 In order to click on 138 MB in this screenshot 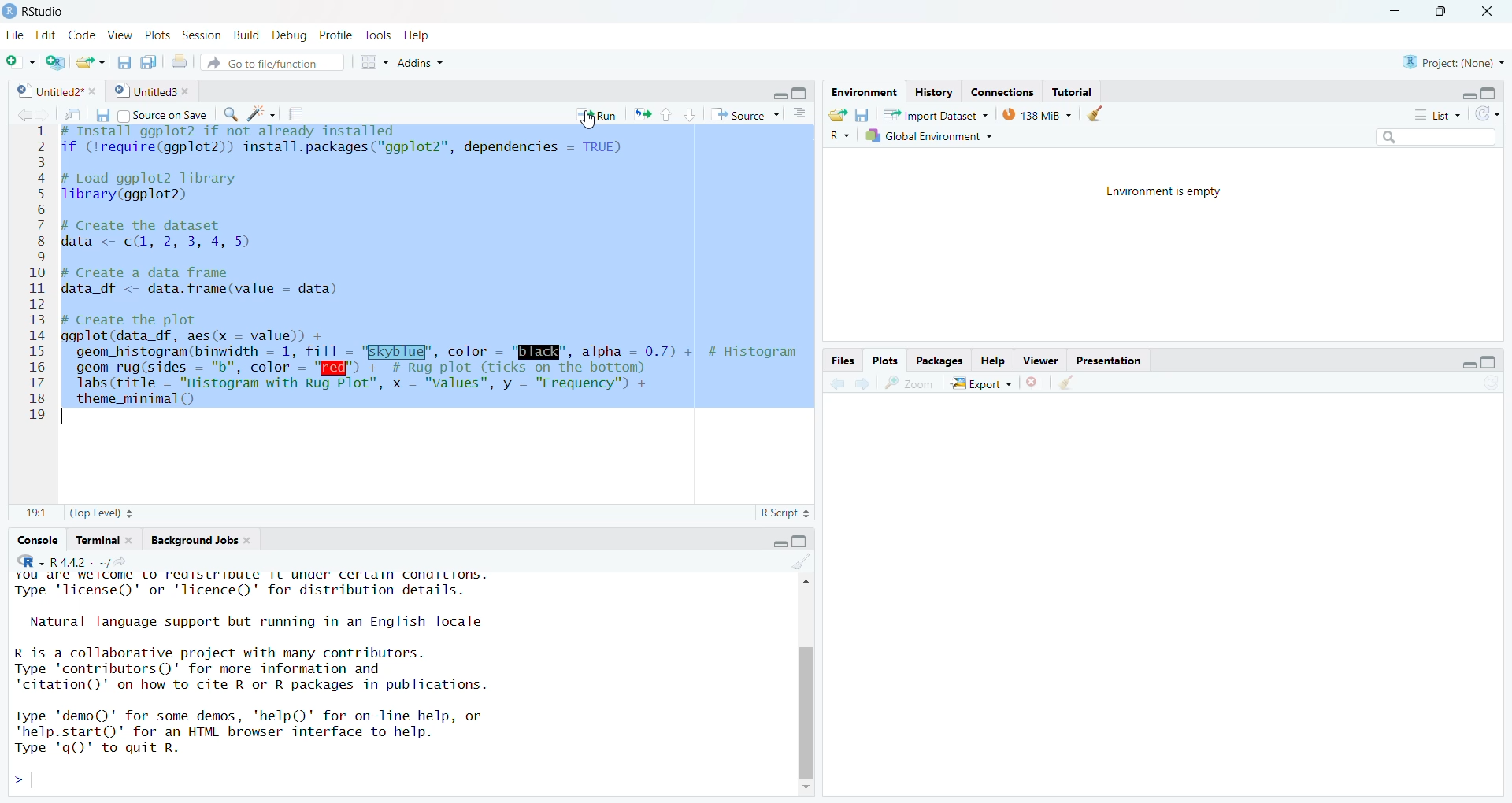, I will do `click(1034, 113)`.